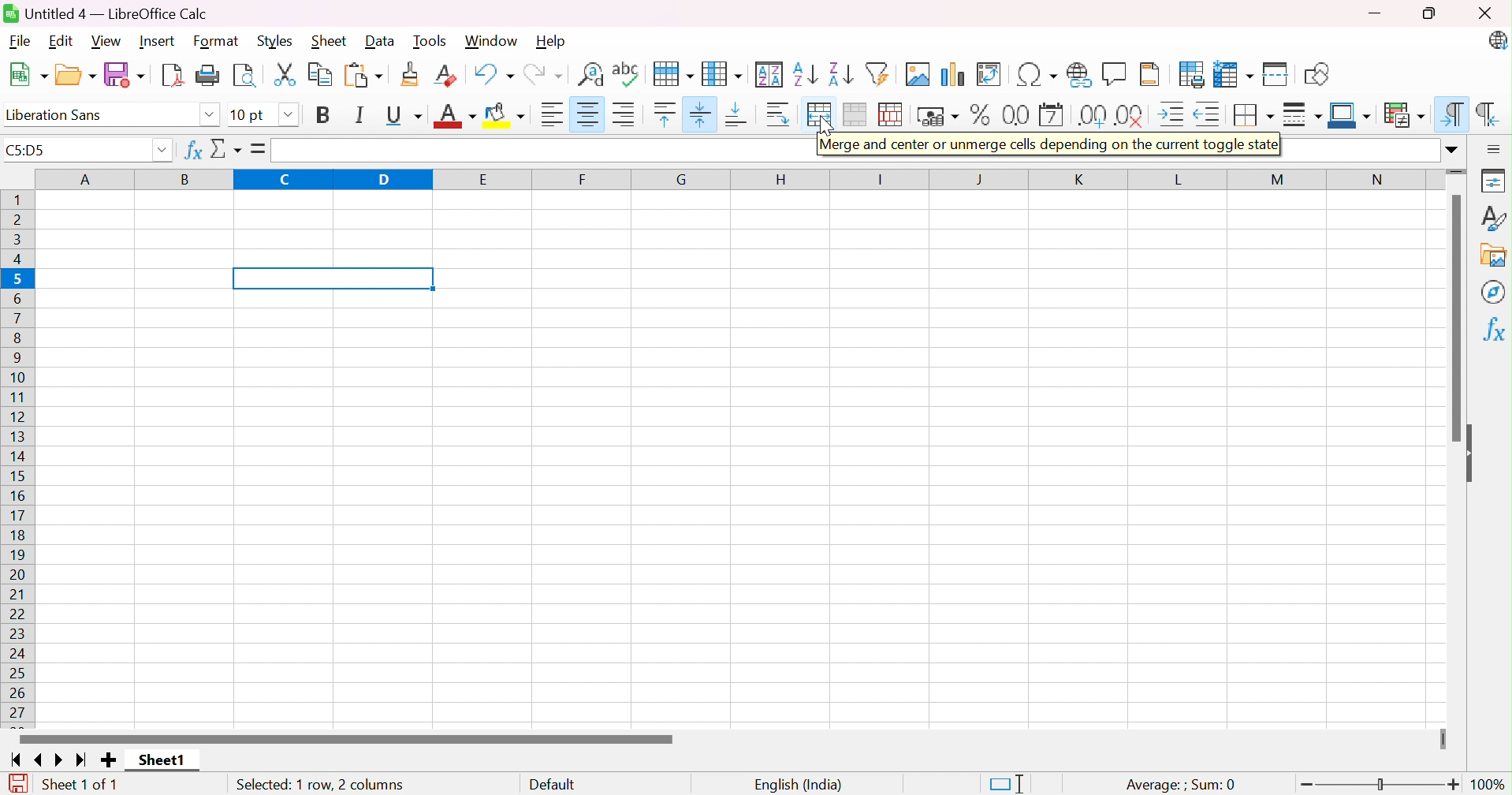 The image size is (1512, 795). I want to click on Insert Comment, so click(1115, 73).